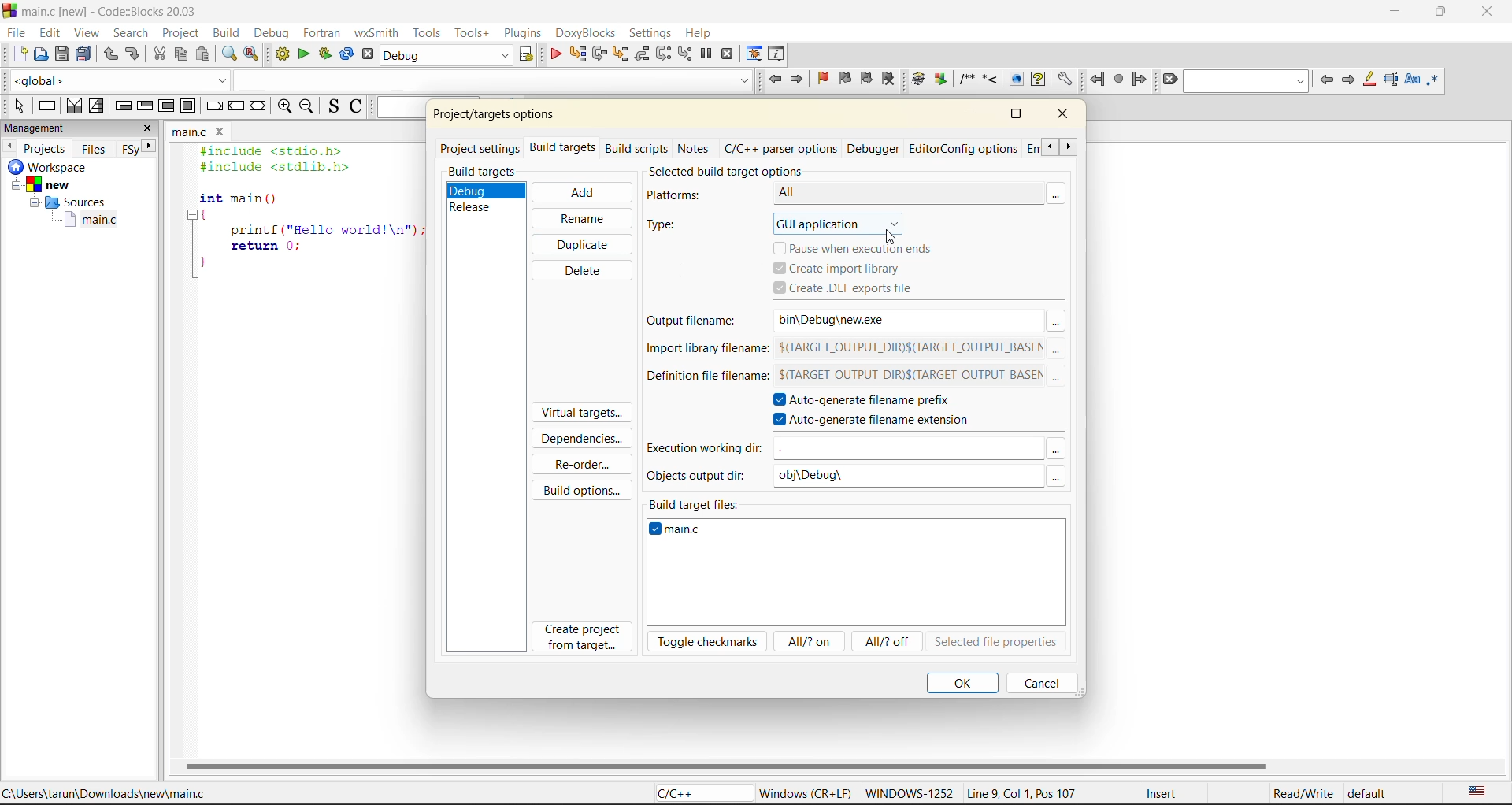 The width and height of the screenshot is (1512, 805). What do you see at coordinates (1055, 321) in the screenshot?
I see `More` at bounding box center [1055, 321].